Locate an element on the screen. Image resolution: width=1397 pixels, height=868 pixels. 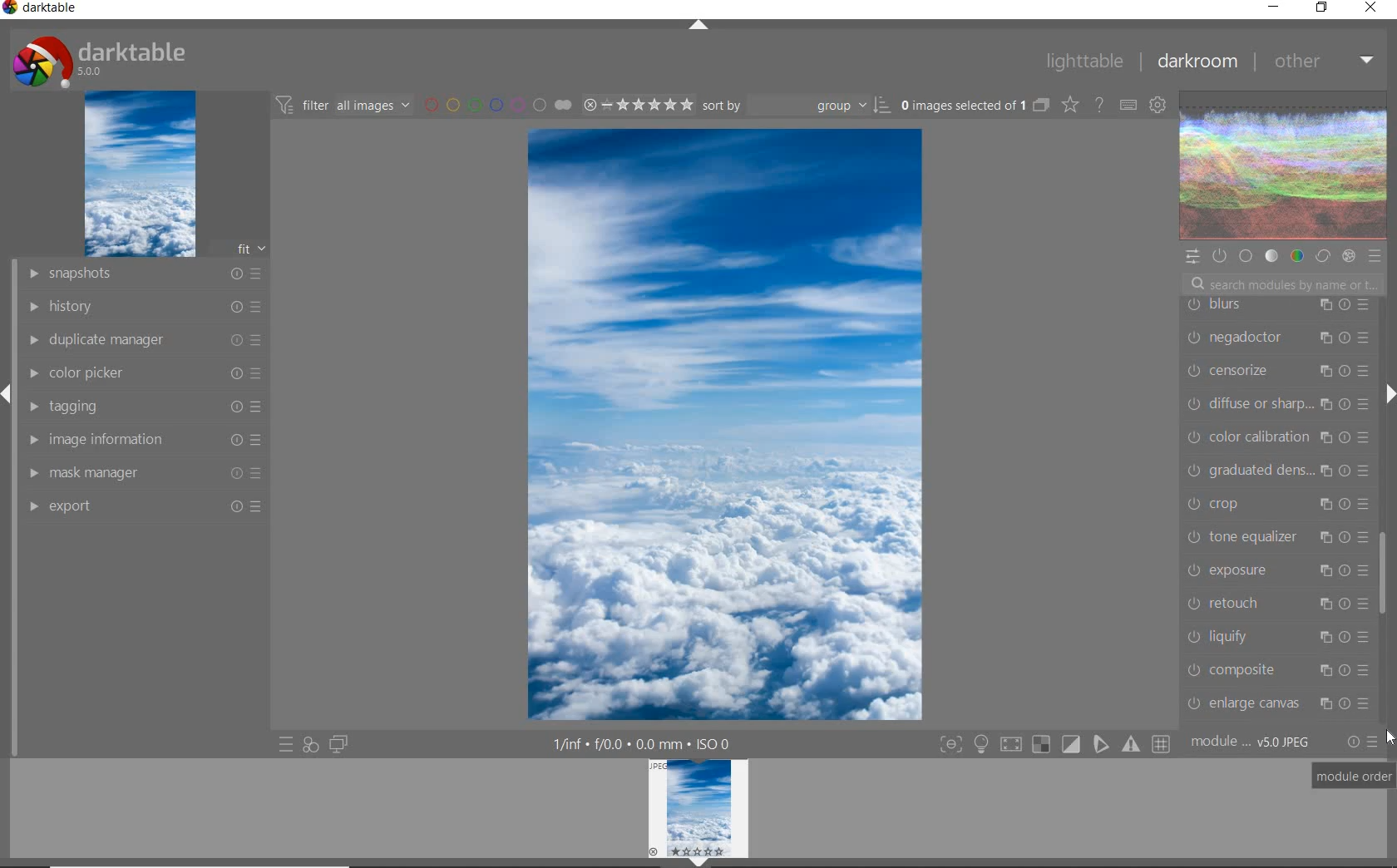
liquify is located at coordinates (1276, 635).